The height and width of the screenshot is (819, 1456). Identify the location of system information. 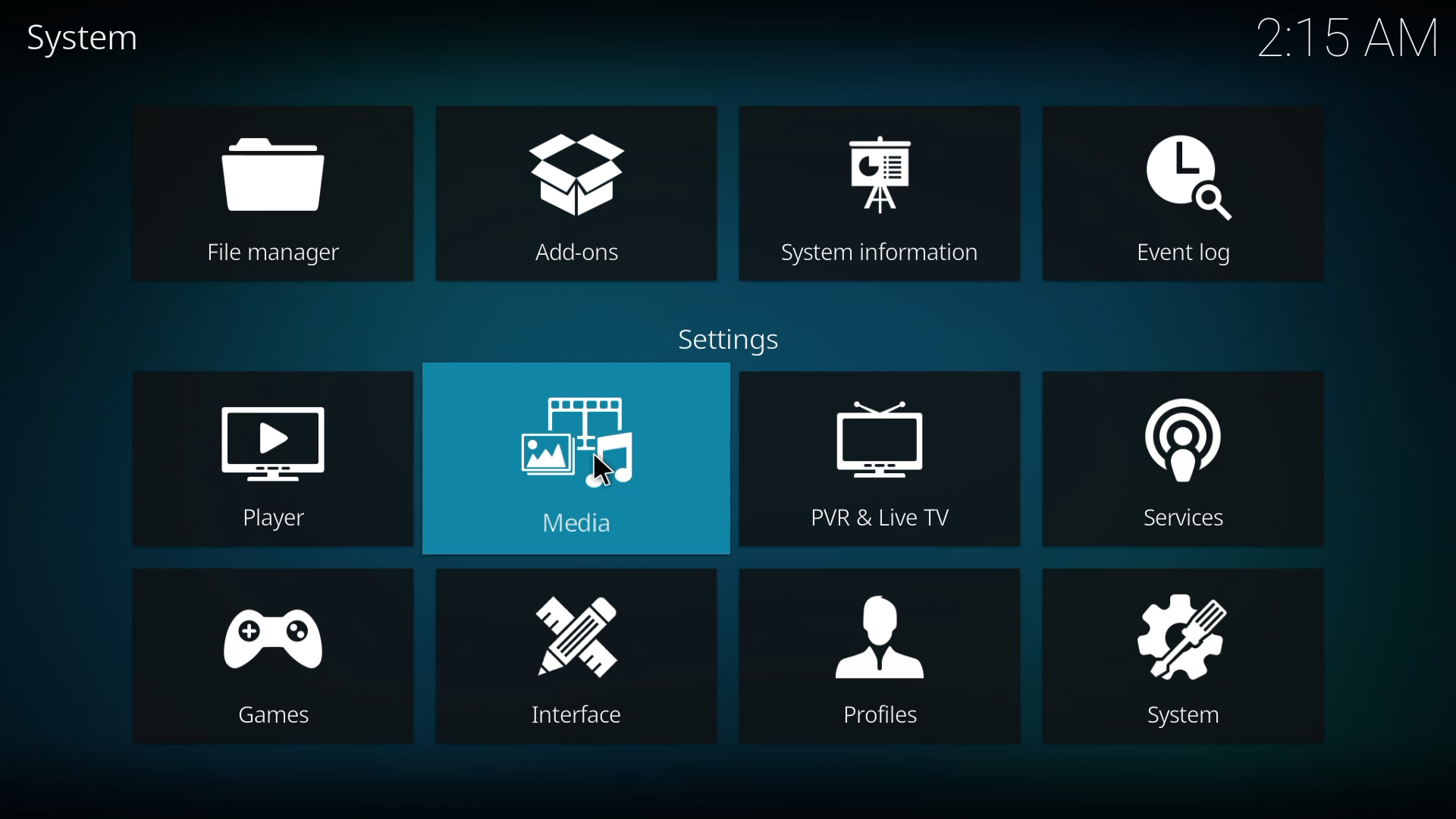
(885, 194).